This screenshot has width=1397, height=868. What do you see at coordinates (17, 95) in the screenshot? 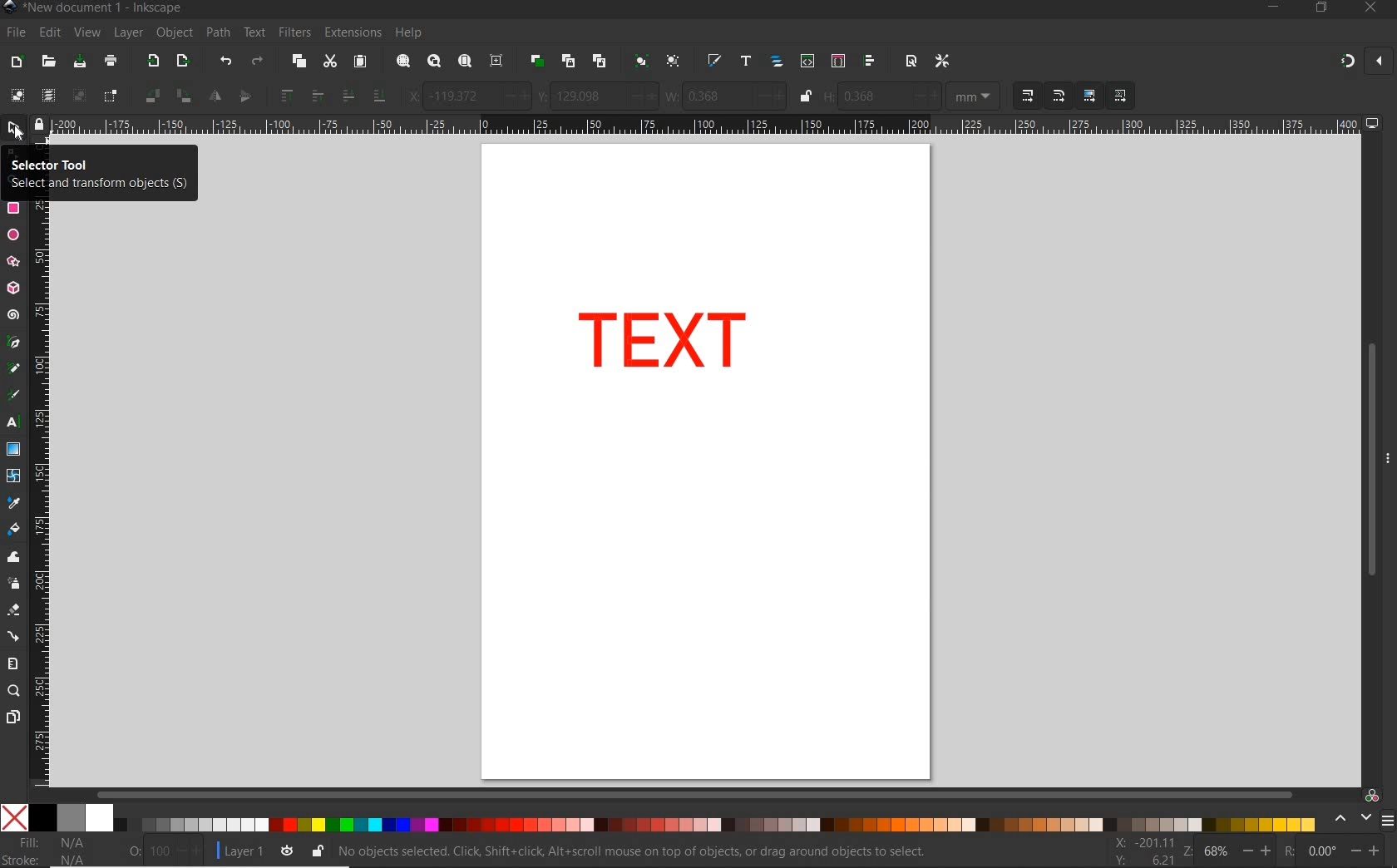
I see `SELECT ALL` at bounding box center [17, 95].